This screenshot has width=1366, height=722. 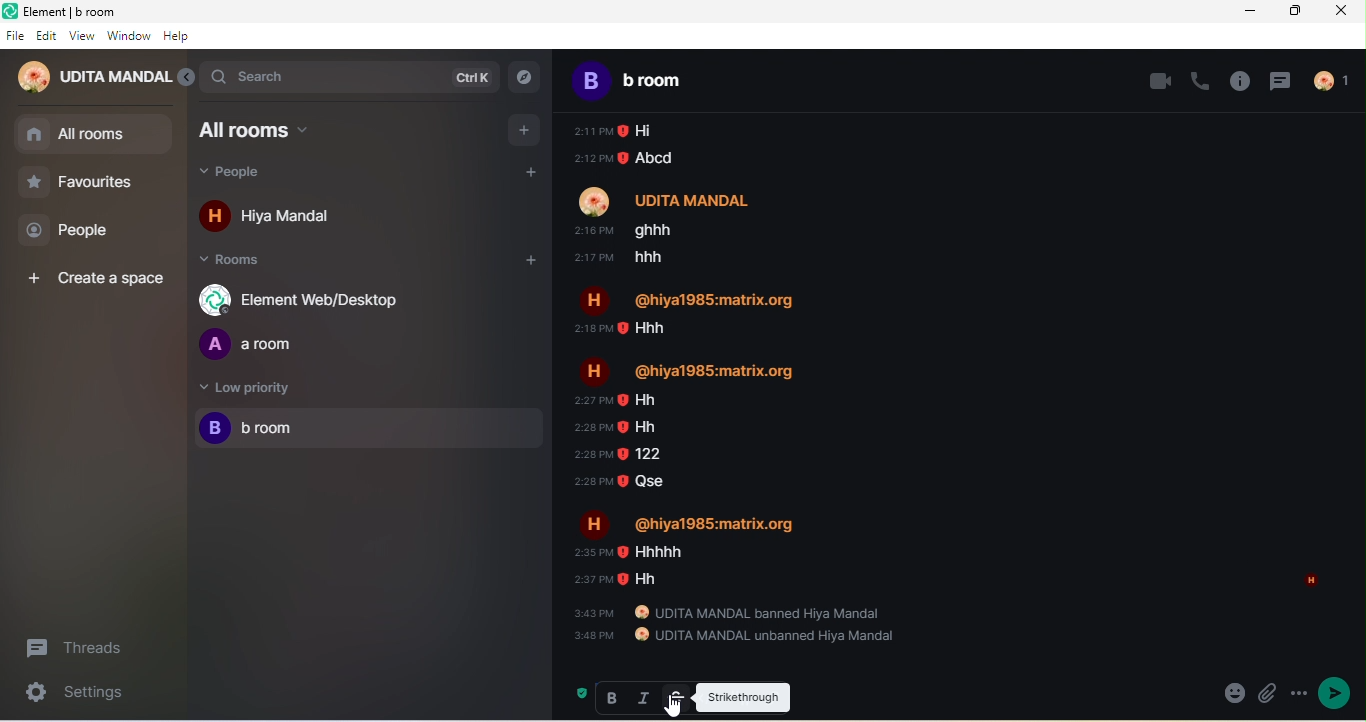 I want to click on collapse, so click(x=187, y=80).